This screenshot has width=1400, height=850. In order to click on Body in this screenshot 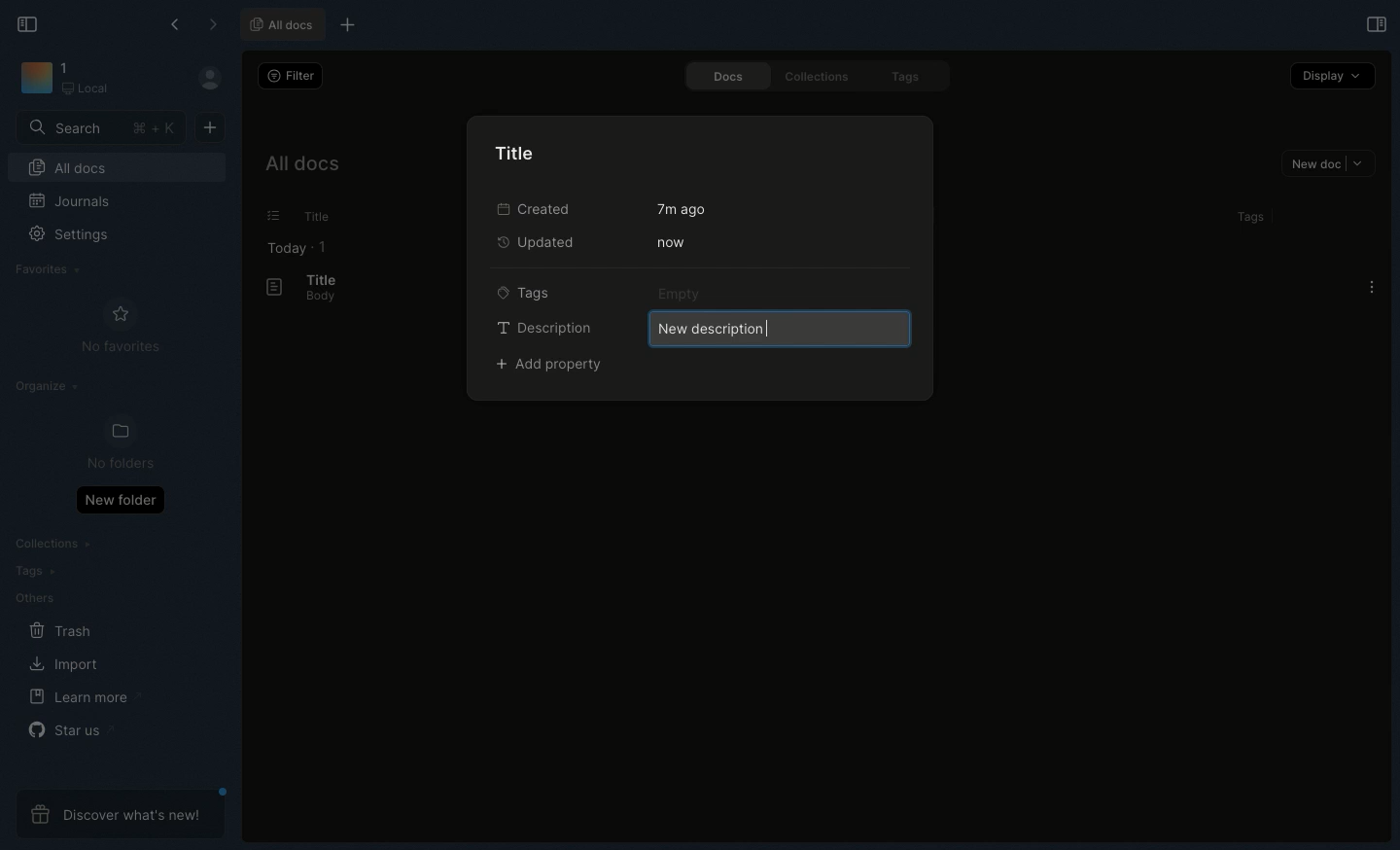, I will do `click(314, 298)`.